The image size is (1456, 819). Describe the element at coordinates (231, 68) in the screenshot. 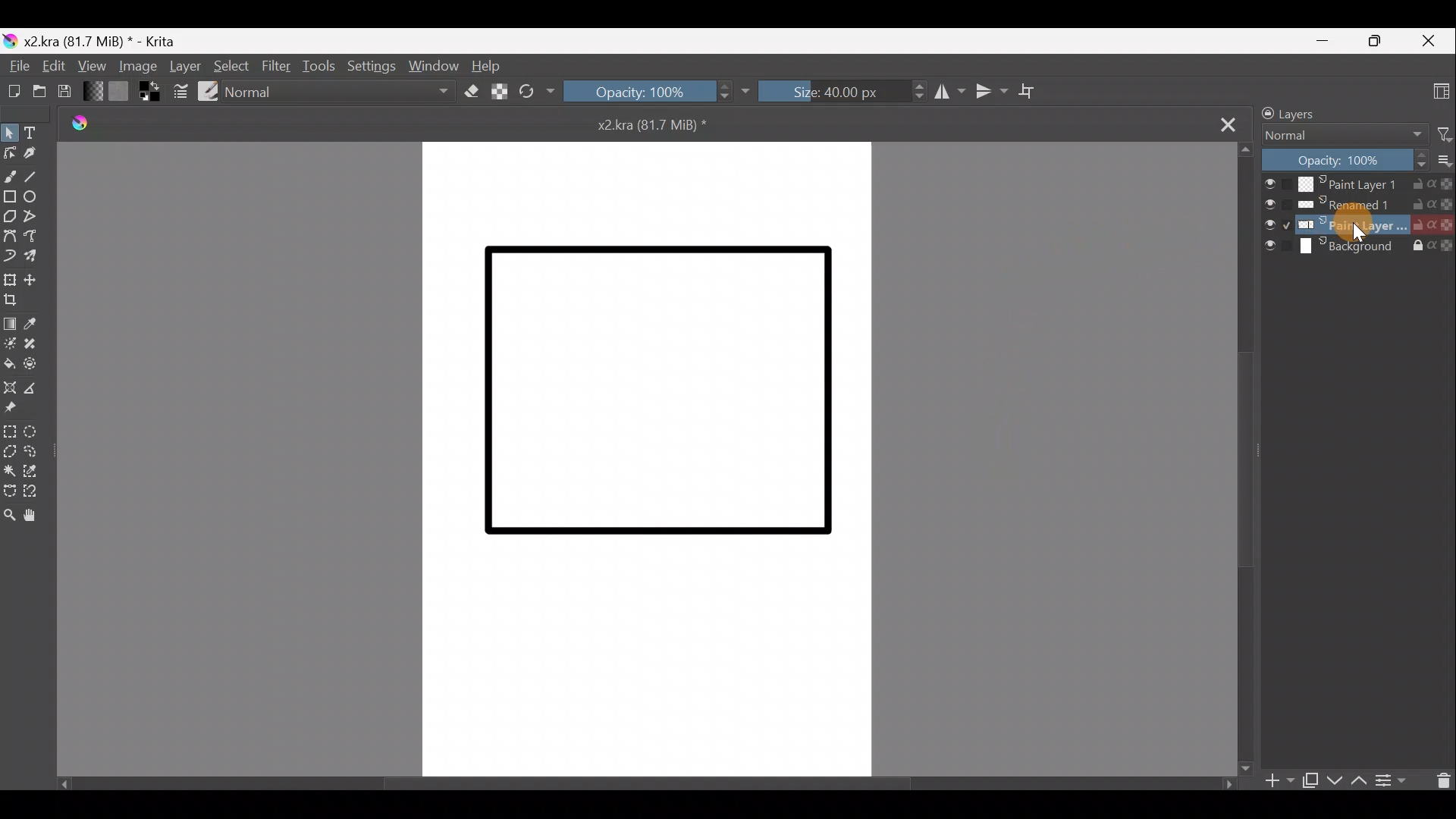

I see `Select` at that location.